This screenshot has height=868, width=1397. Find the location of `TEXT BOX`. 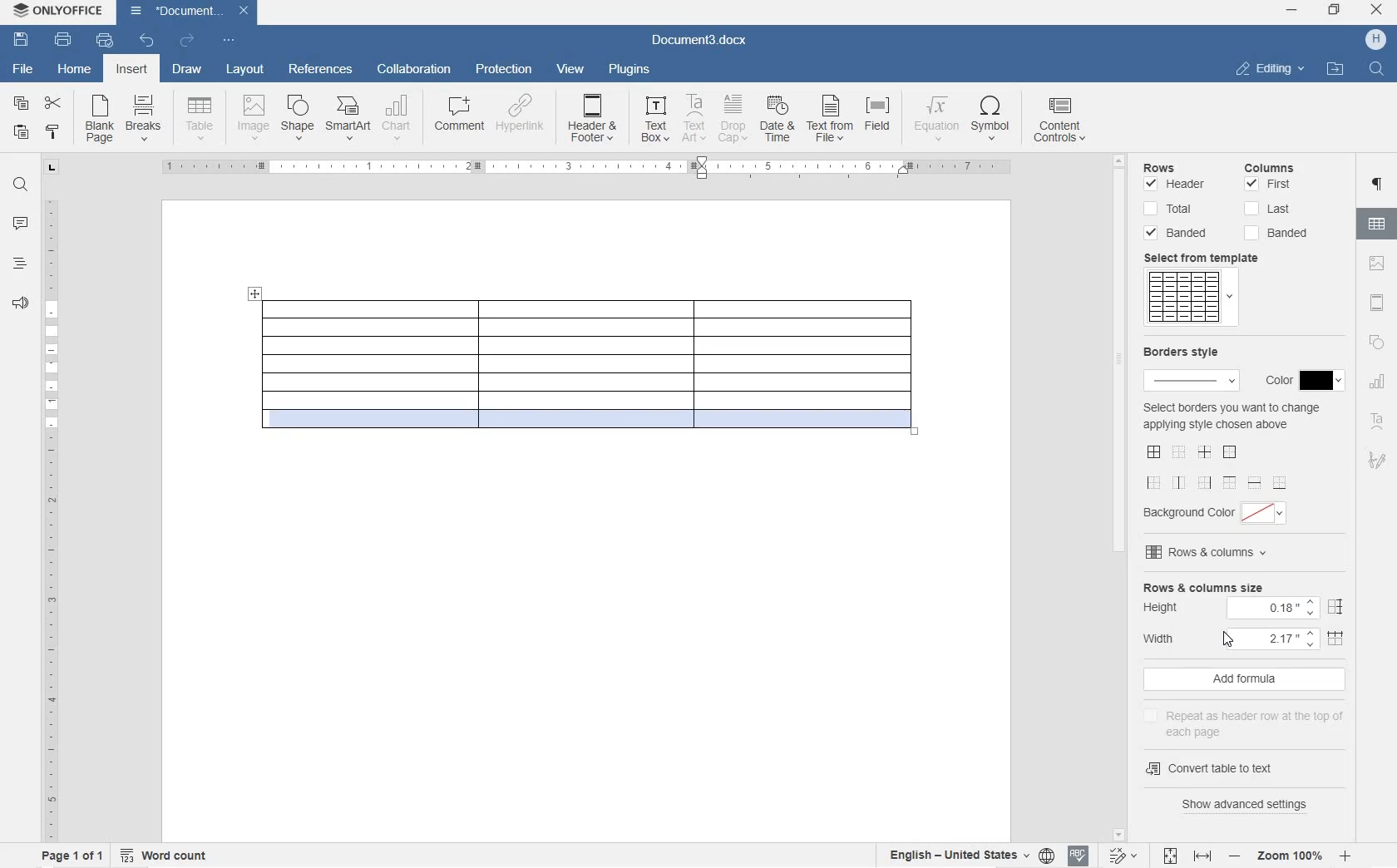

TEXT BOX is located at coordinates (655, 121).